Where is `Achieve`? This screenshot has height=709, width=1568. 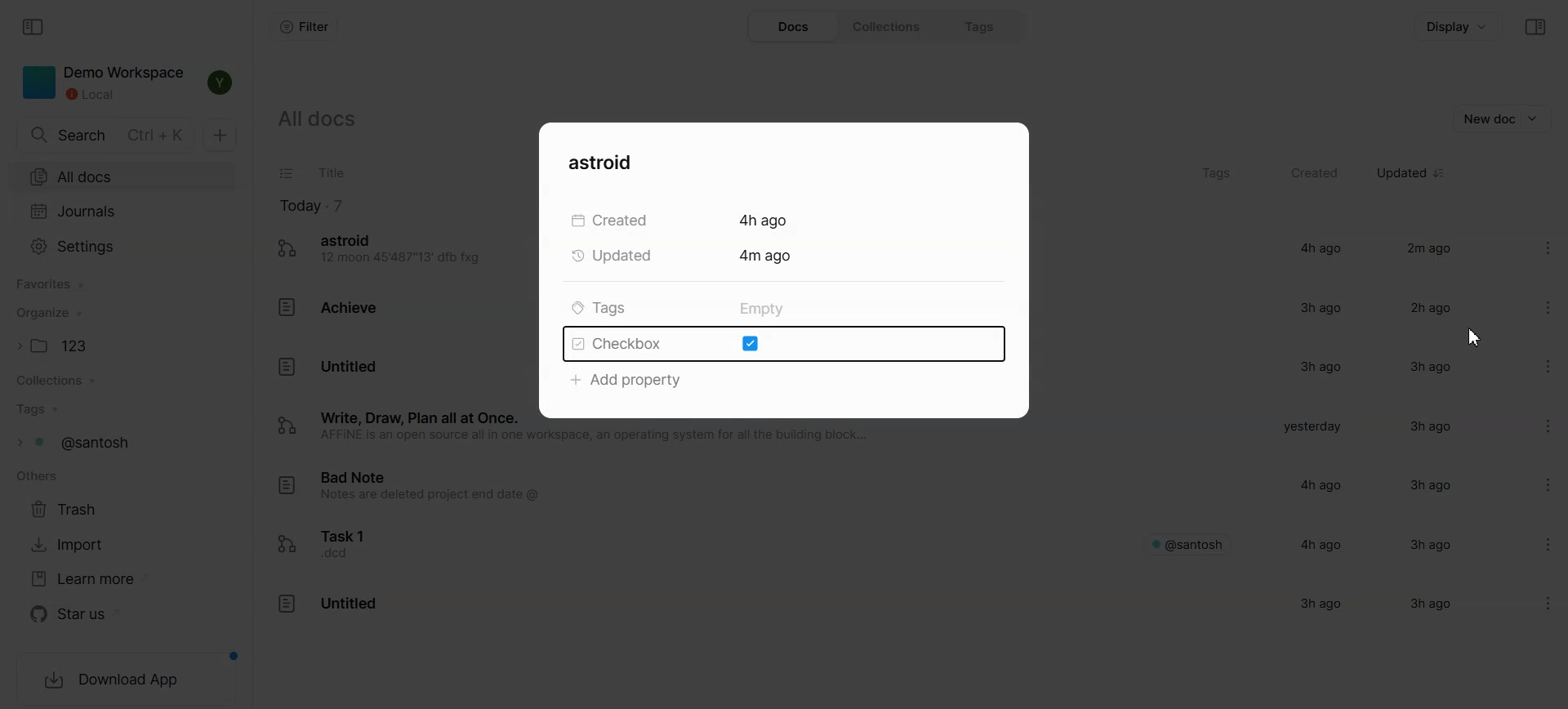 Achieve is located at coordinates (332, 306).